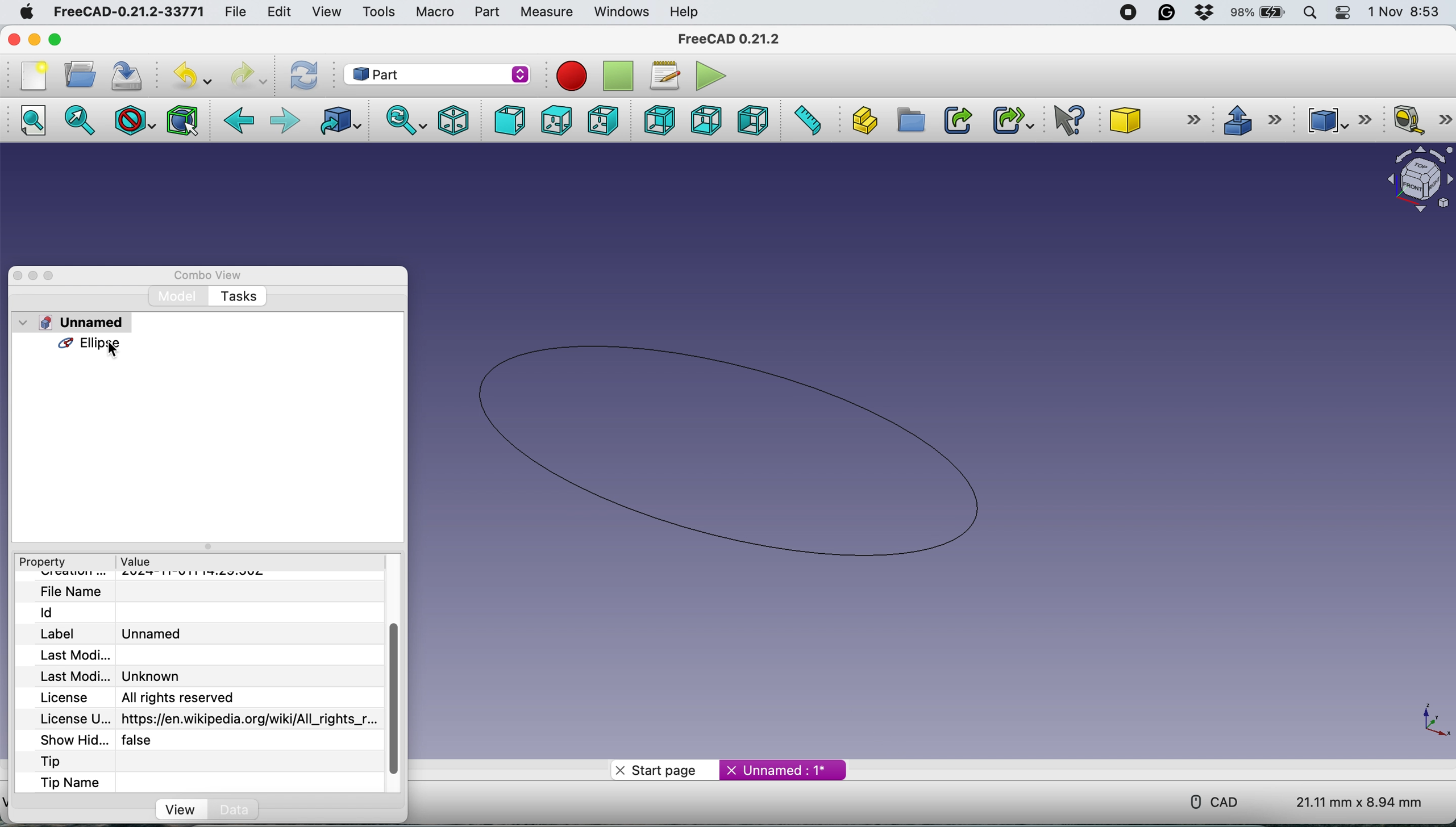 This screenshot has width=1456, height=827. What do you see at coordinates (854, 448) in the screenshot?
I see `ellipse` at bounding box center [854, 448].